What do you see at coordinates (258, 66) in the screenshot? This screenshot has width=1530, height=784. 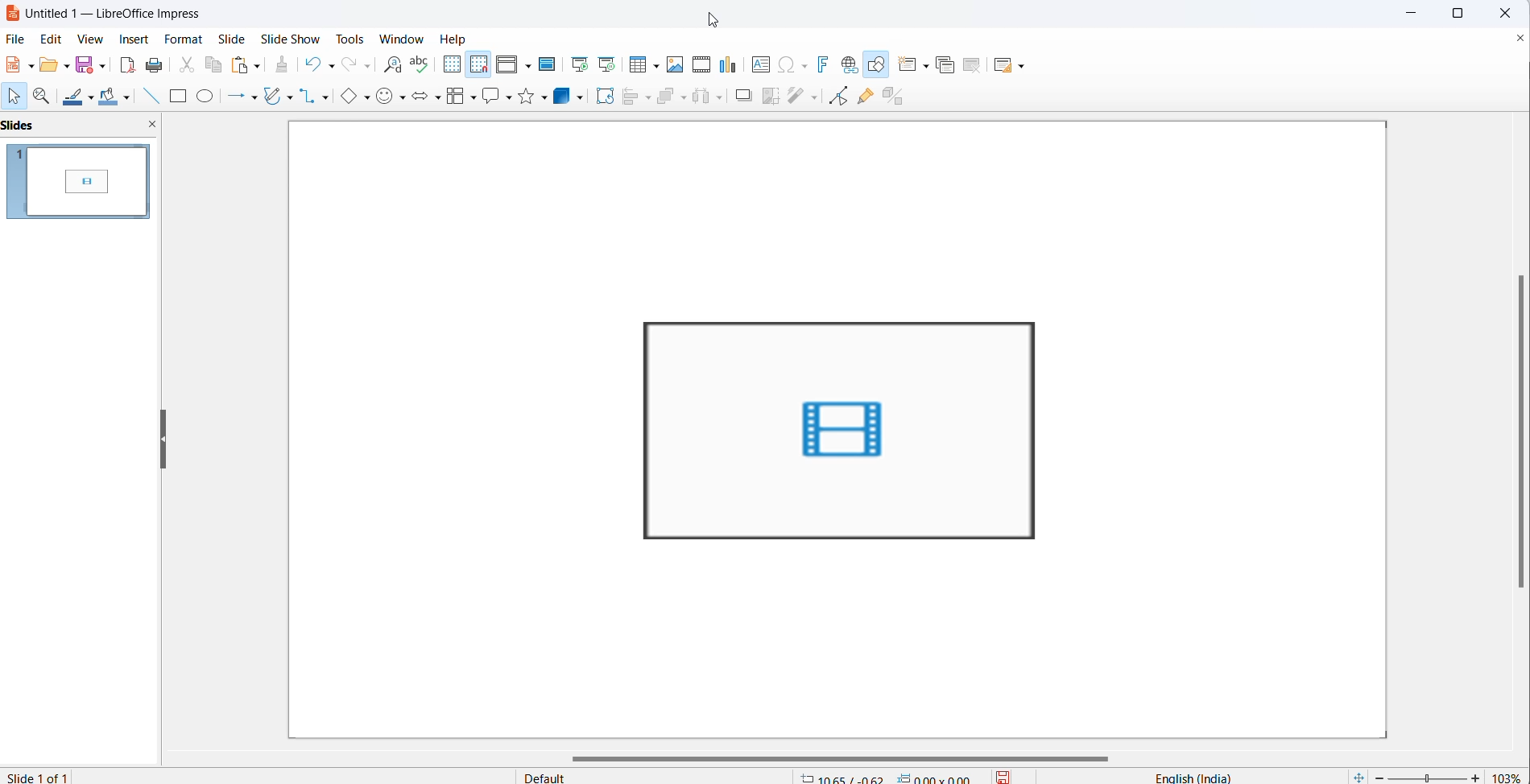 I see `paste options` at bounding box center [258, 66].